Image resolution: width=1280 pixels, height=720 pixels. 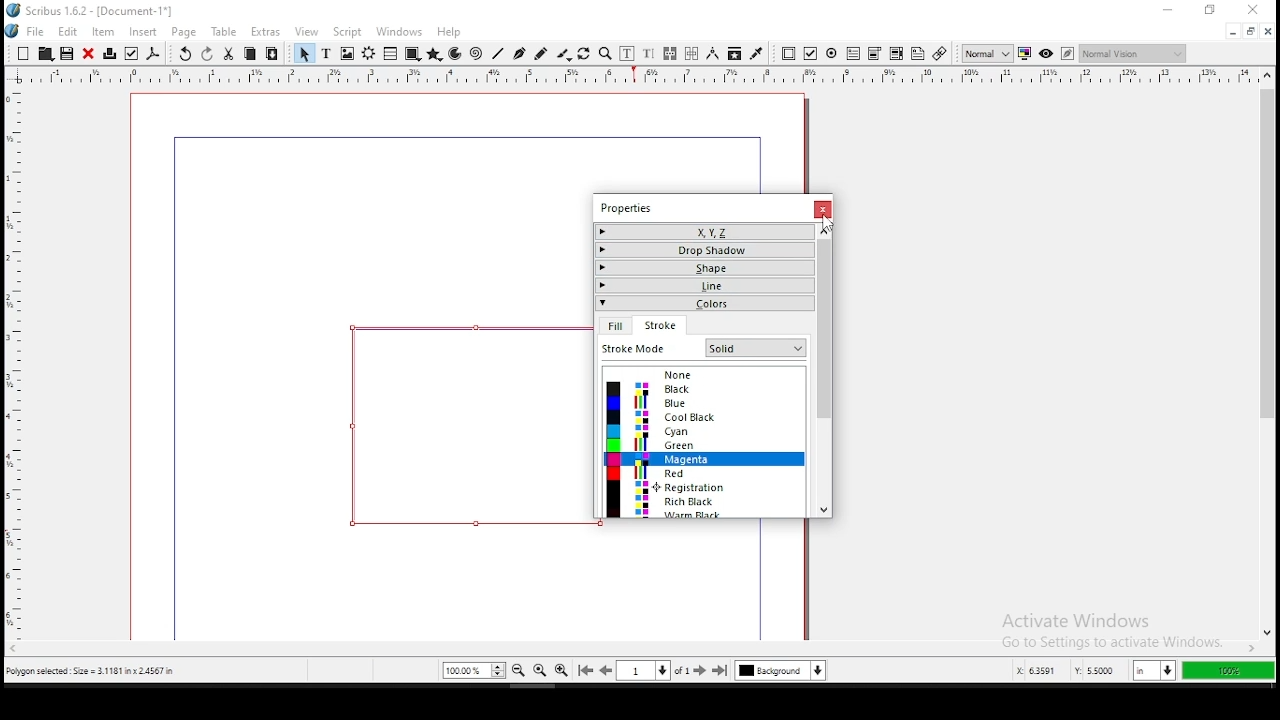 What do you see at coordinates (650, 348) in the screenshot?
I see `fit mode` at bounding box center [650, 348].